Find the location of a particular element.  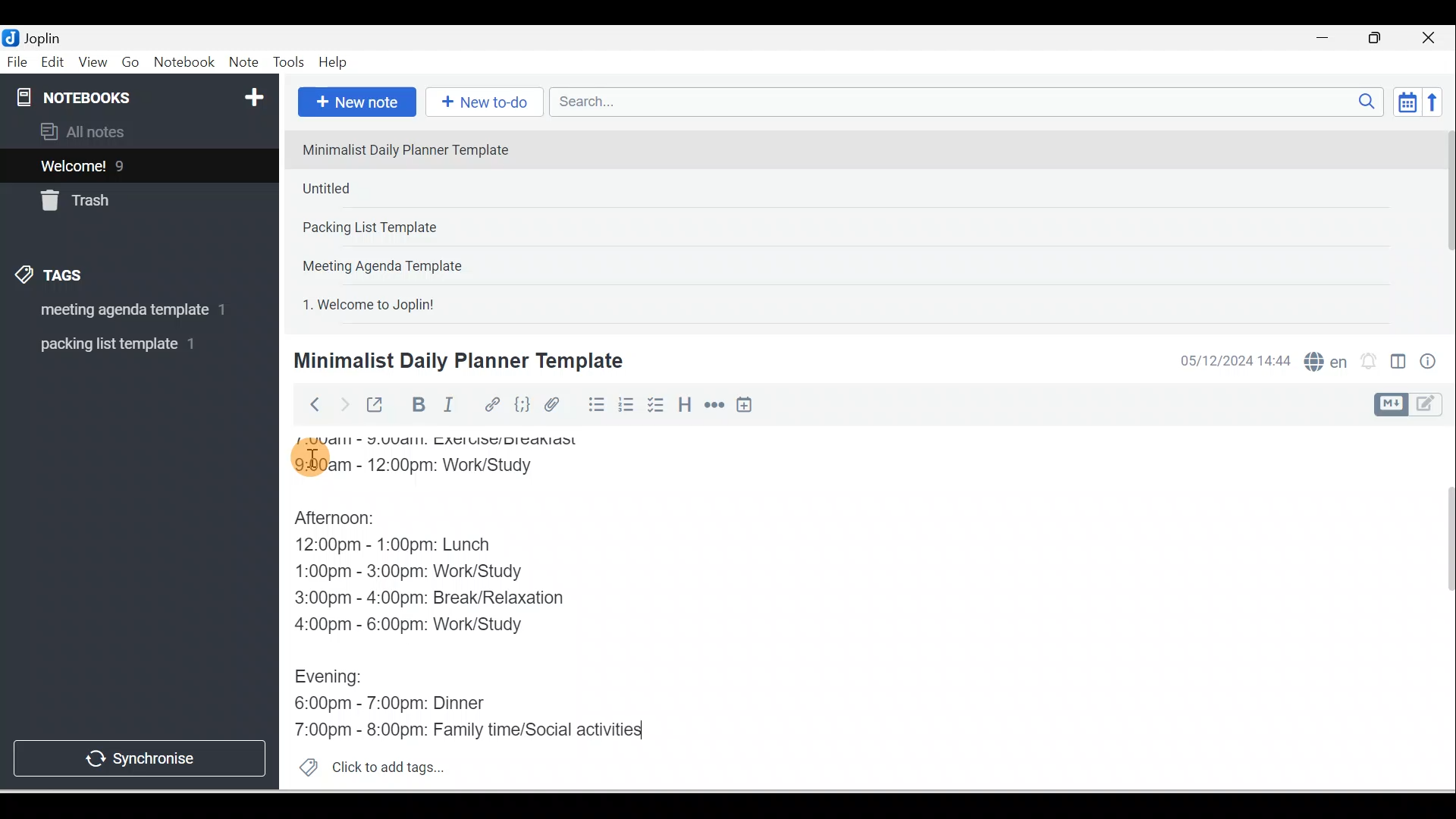

Evening: is located at coordinates (339, 679).